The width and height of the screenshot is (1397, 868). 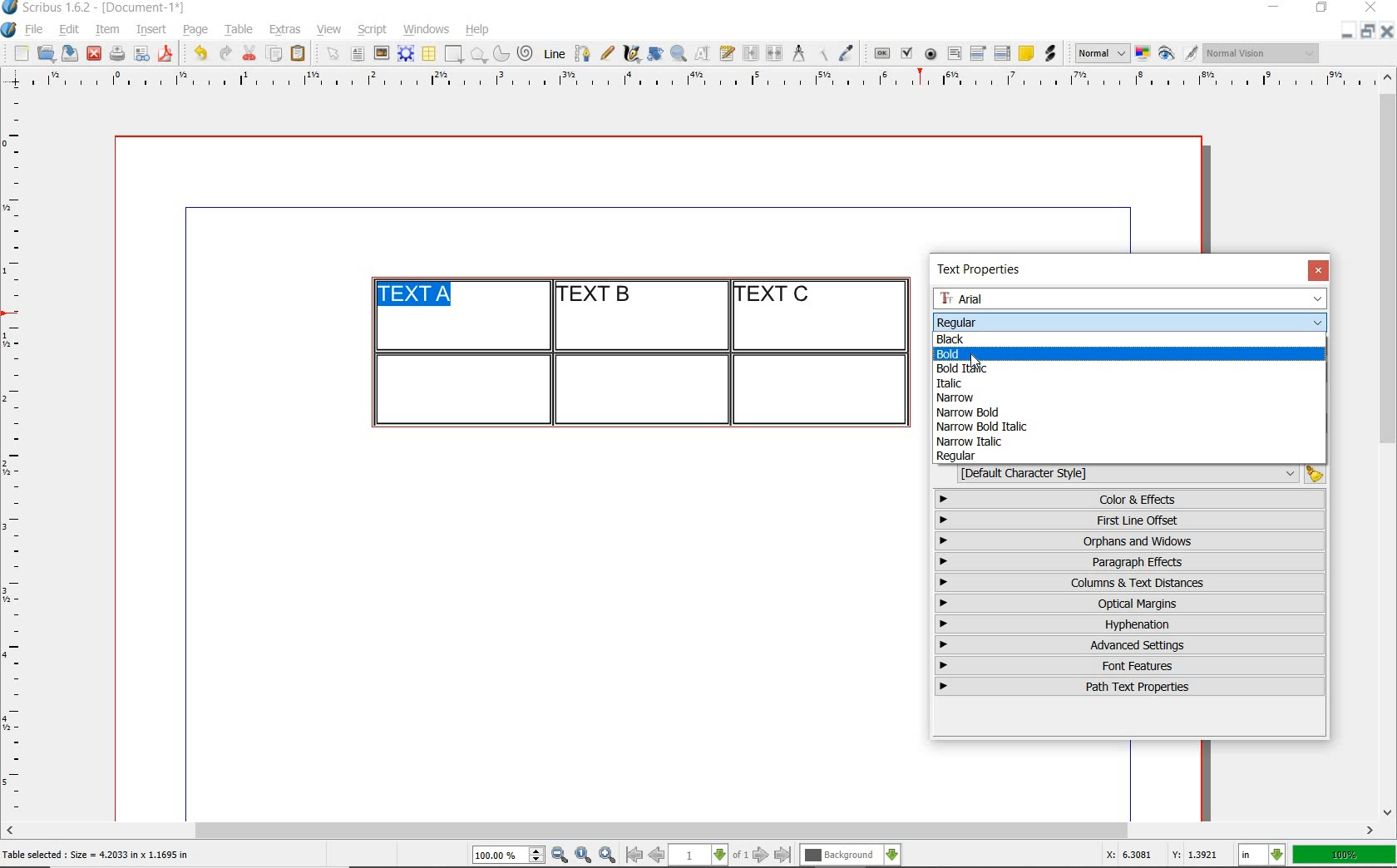 I want to click on zoom in or zoom out, so click(x=679, y=53).